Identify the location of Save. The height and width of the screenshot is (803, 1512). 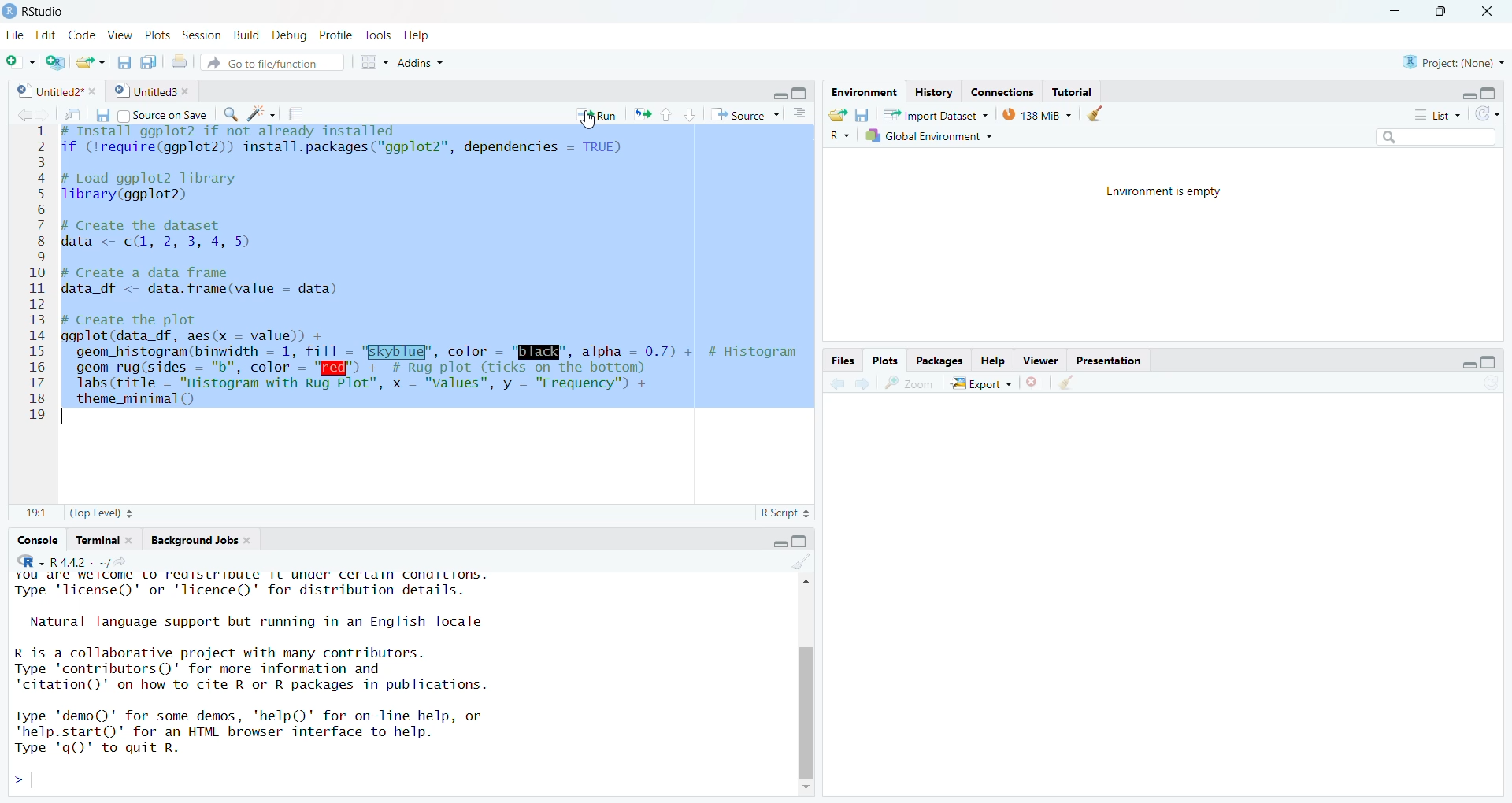
(866, 113).